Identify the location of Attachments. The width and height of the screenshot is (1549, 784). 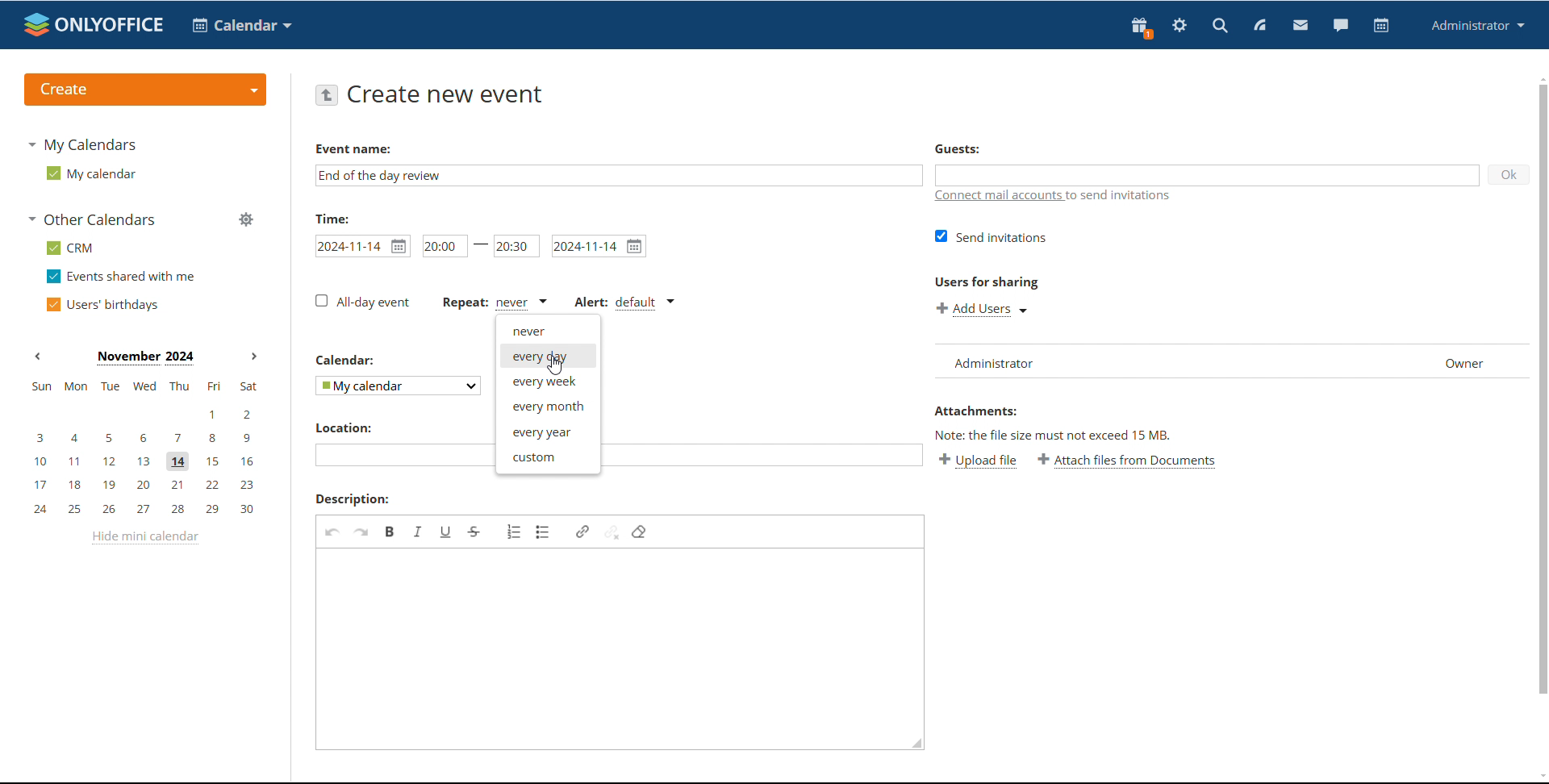
(975, 411).